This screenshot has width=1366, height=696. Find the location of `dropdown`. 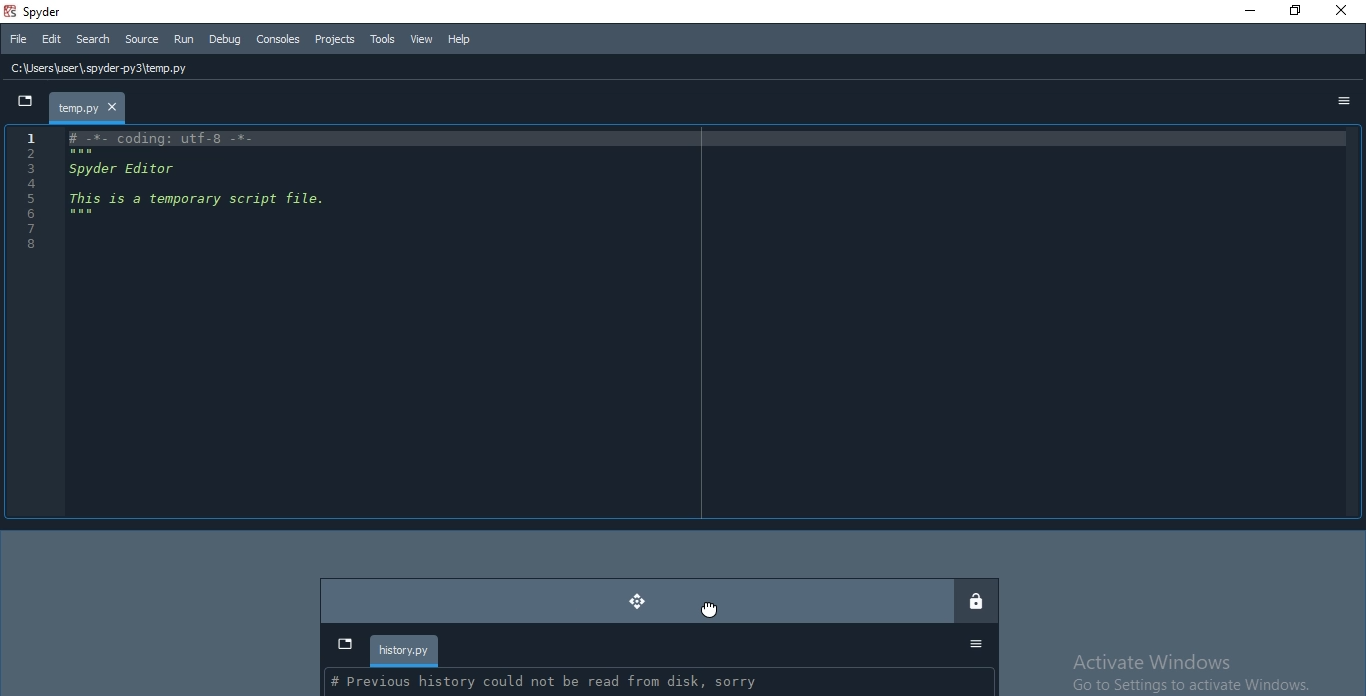

dropdown is located at coordinates (347, 644).